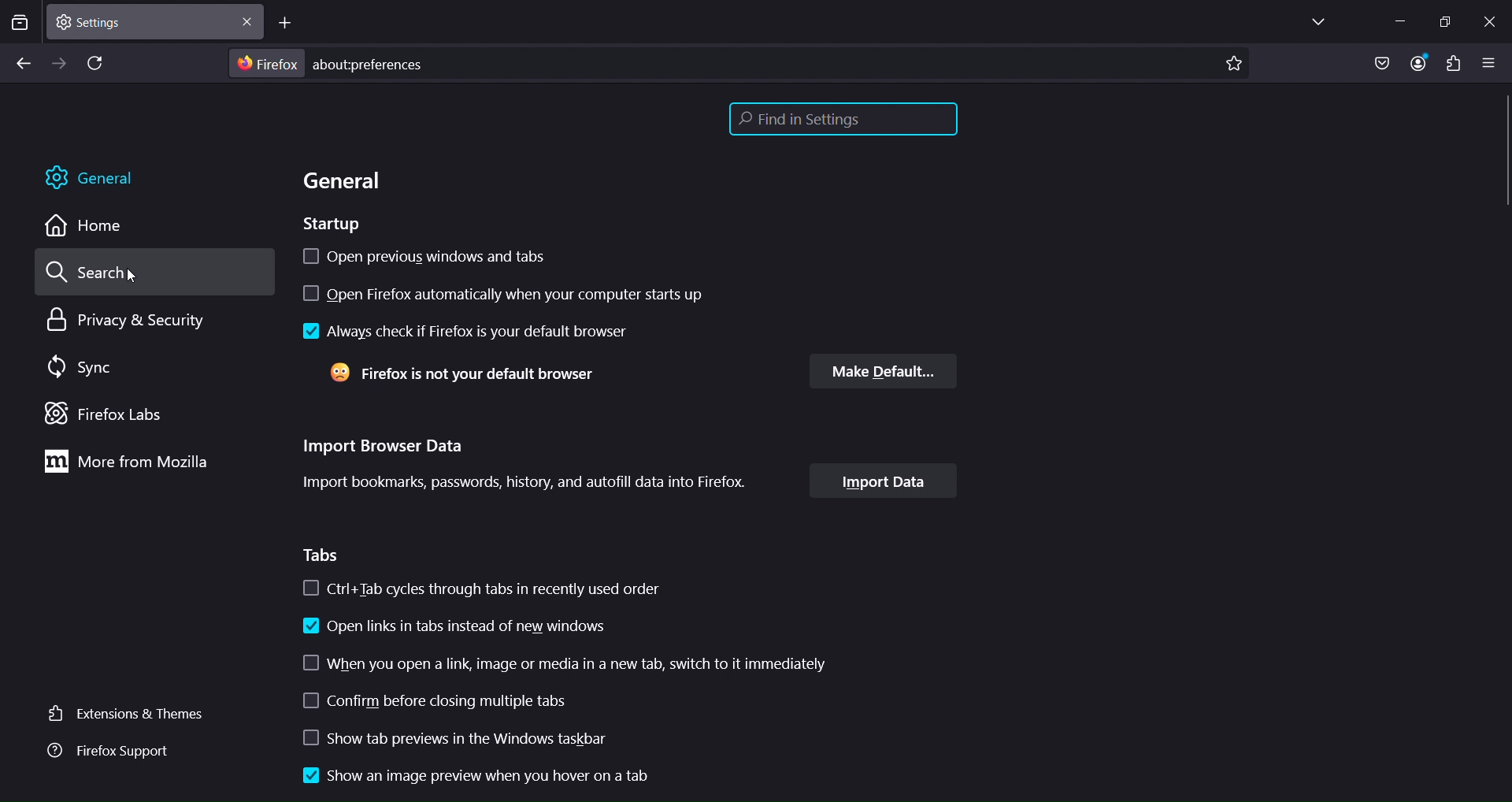 This screenshot has width=1512, height=802. Describe the element at coordinates (1492, 61) in the screenshot. I see `open application menu` at that location.